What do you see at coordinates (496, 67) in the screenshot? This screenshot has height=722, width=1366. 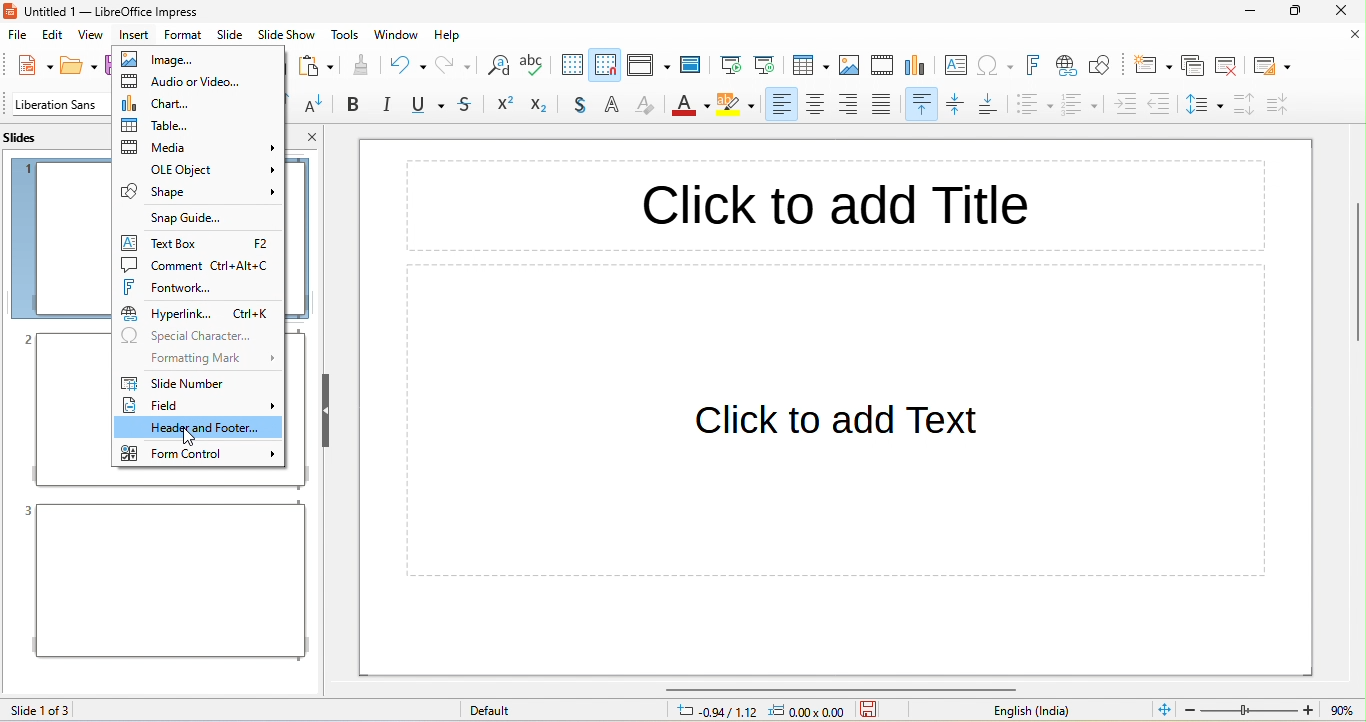 I see `find and replace` at bounding box center [496, 67].